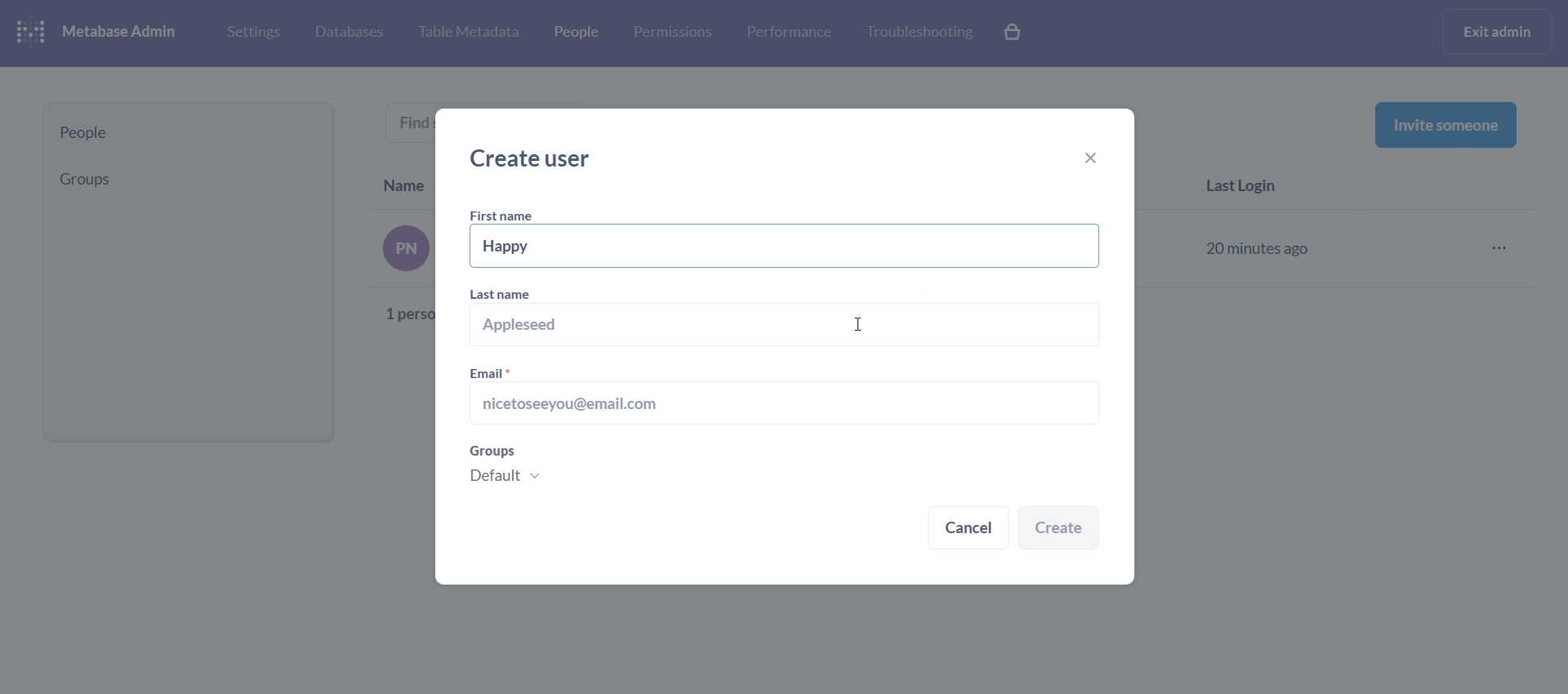 This screenshot has height=694, width=1568. What do you see at coordinates (1445, 124) in the screenshot?
I see `invite someone` at bounding box center [1445, 124].